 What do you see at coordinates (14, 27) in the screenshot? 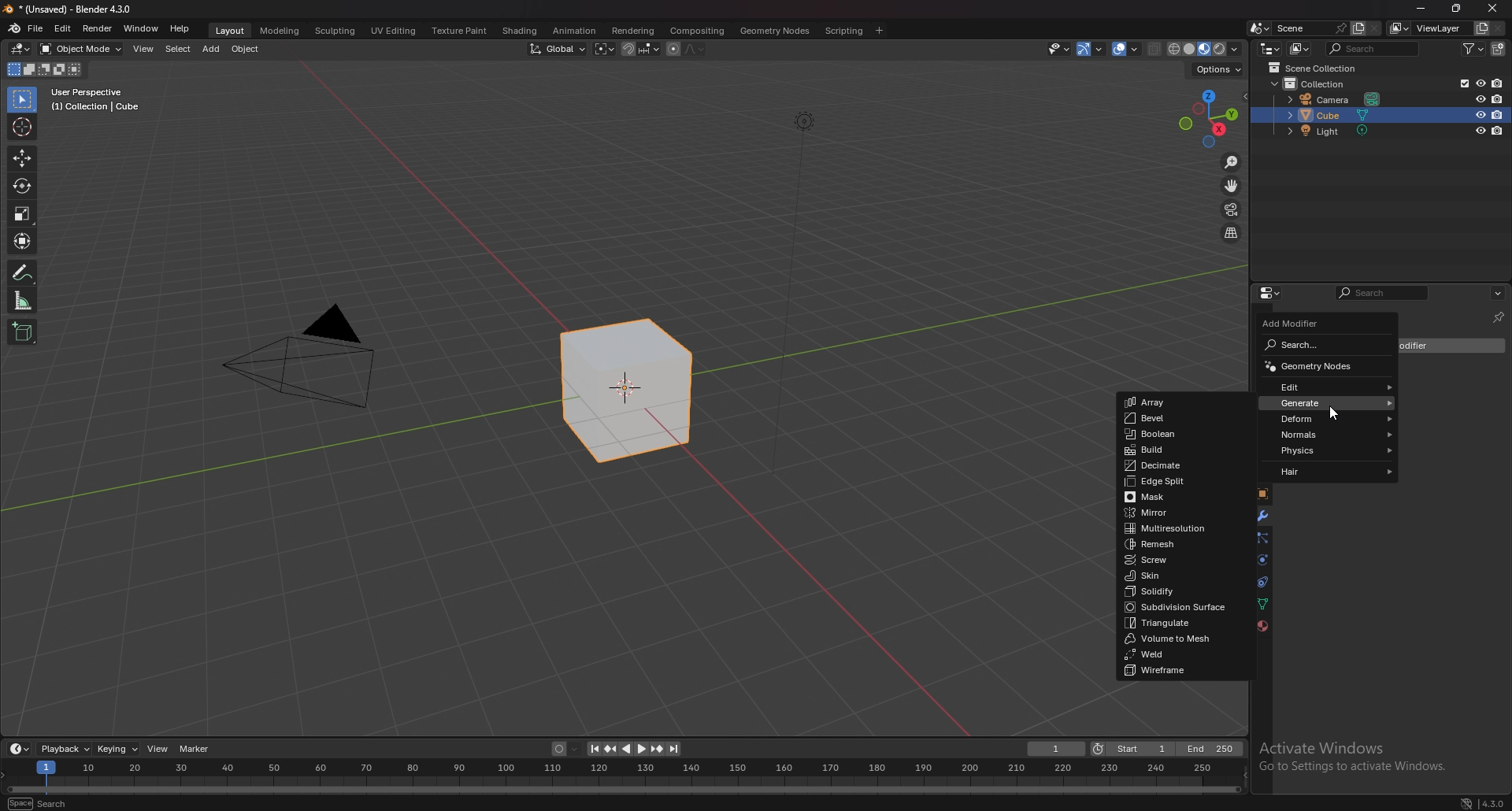
I see `blender` at bounding box center [14, 27].